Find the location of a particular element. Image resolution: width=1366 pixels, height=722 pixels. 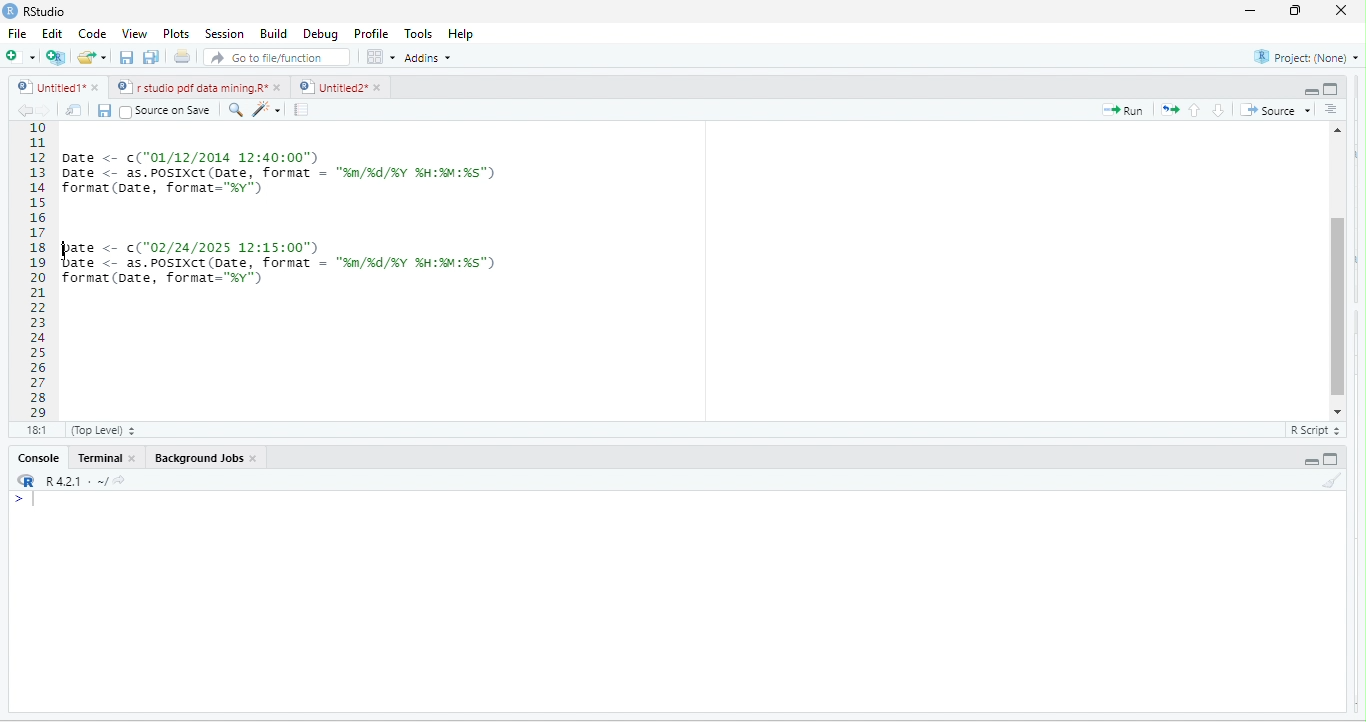

Console is located at coordinates (38, 459).